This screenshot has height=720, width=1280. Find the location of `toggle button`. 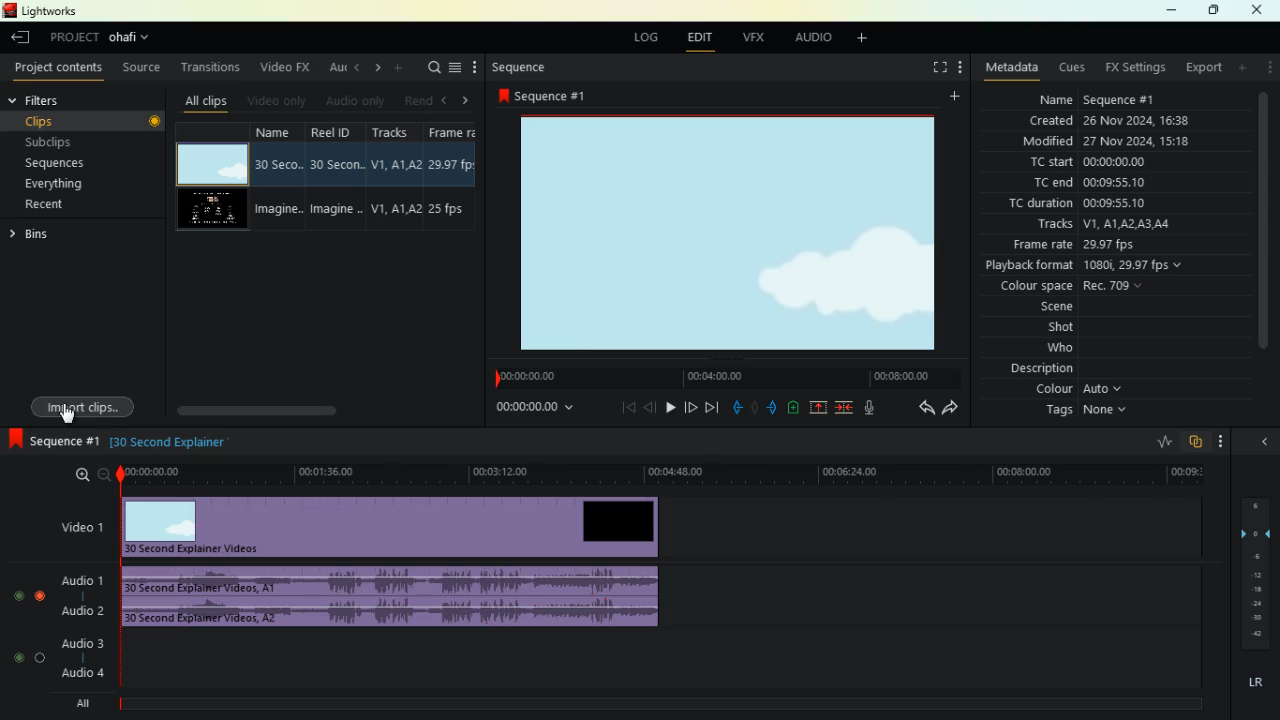

toggle button is located at coordinates (31, 627).